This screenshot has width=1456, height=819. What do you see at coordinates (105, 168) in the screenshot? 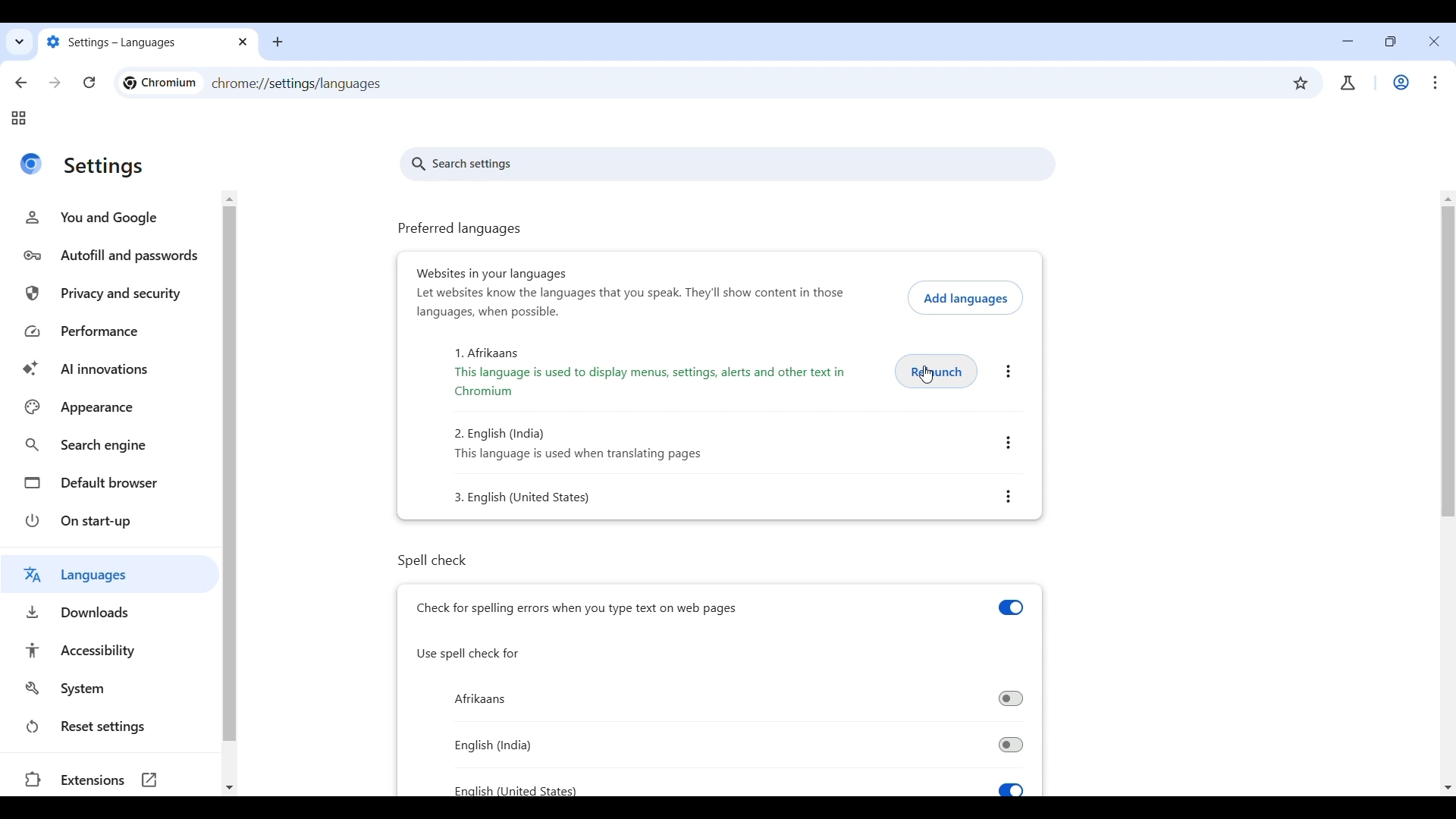
I see `Title of current page` at bounding box center [105, 168].